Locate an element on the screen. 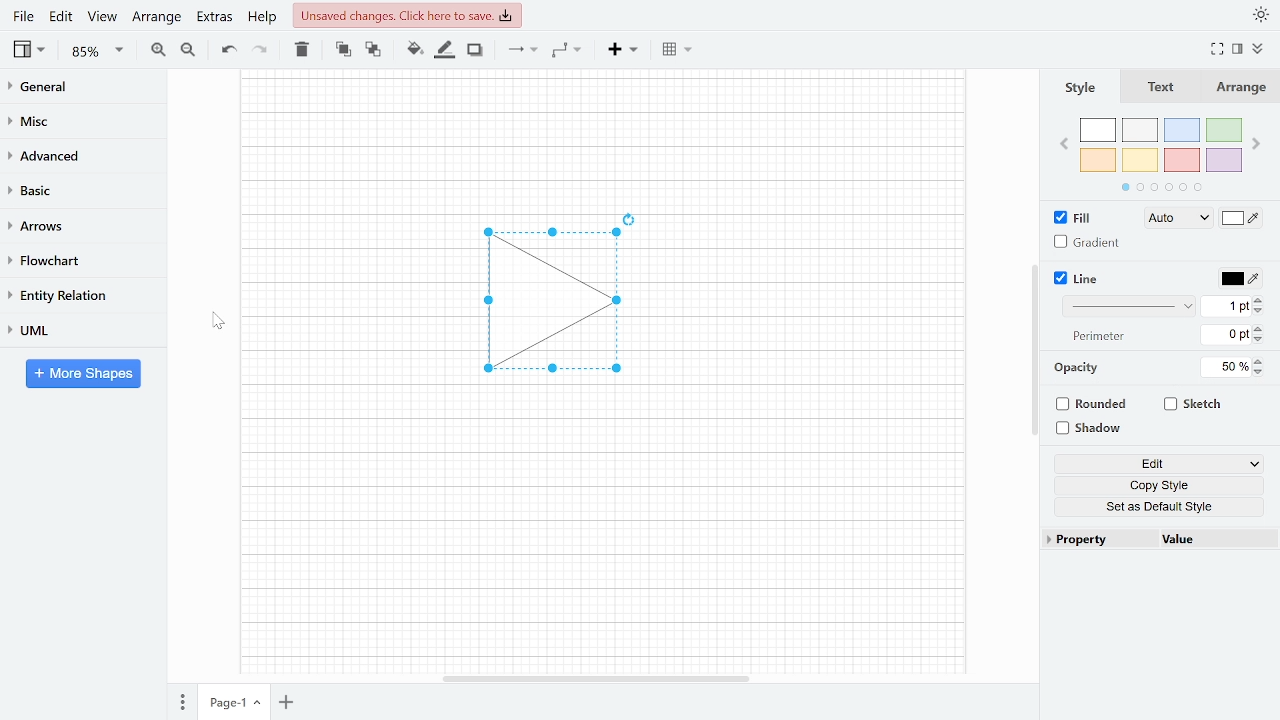  To back is located at coordinates (371, 48).